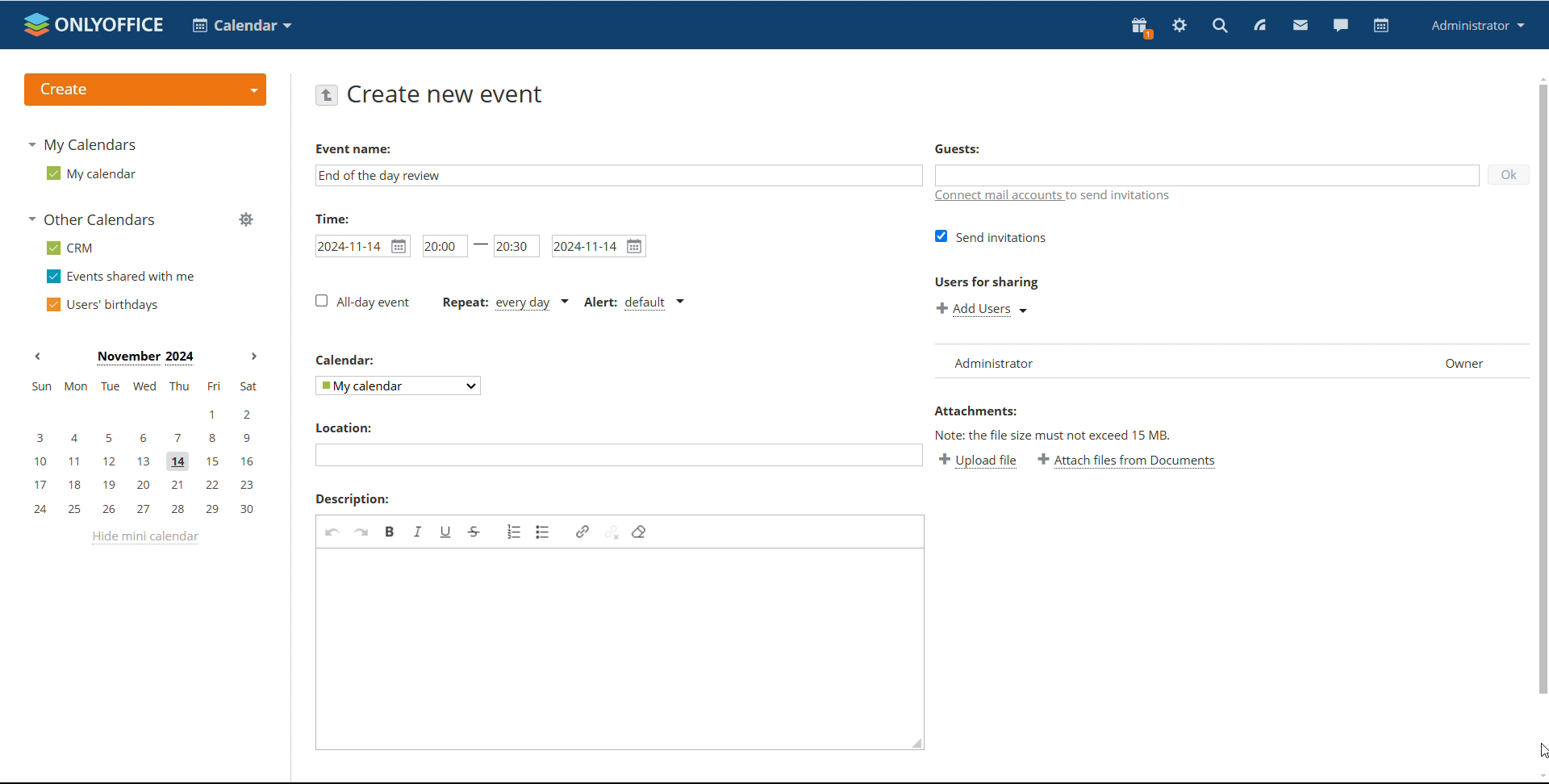 The image size is (1549, 784). What do you see at coordinates (517, 245) in the screenshot?
I see `end time set` at bounding box center [517, 245].